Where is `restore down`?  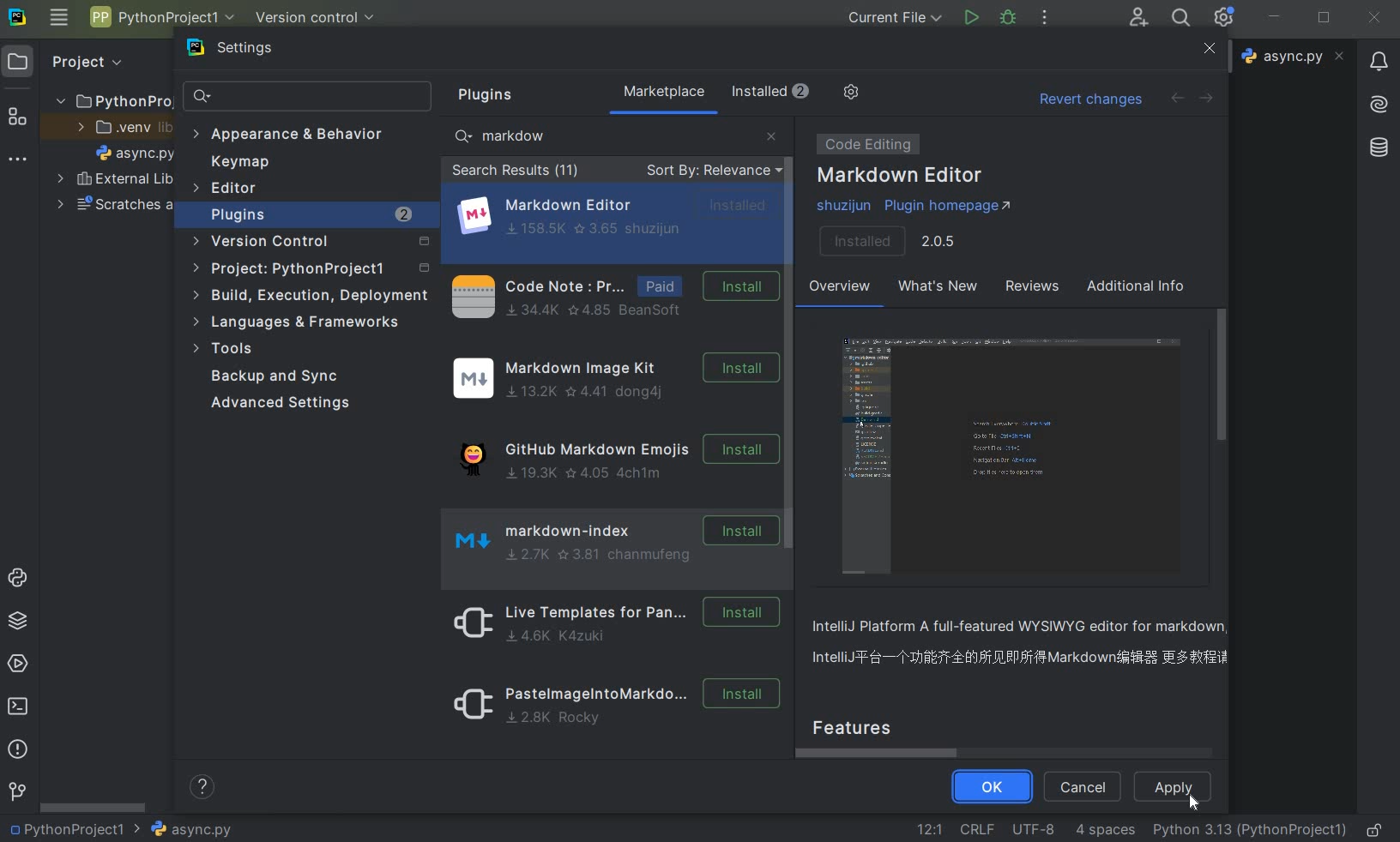
restore down is located at coordinates (1325, 19).